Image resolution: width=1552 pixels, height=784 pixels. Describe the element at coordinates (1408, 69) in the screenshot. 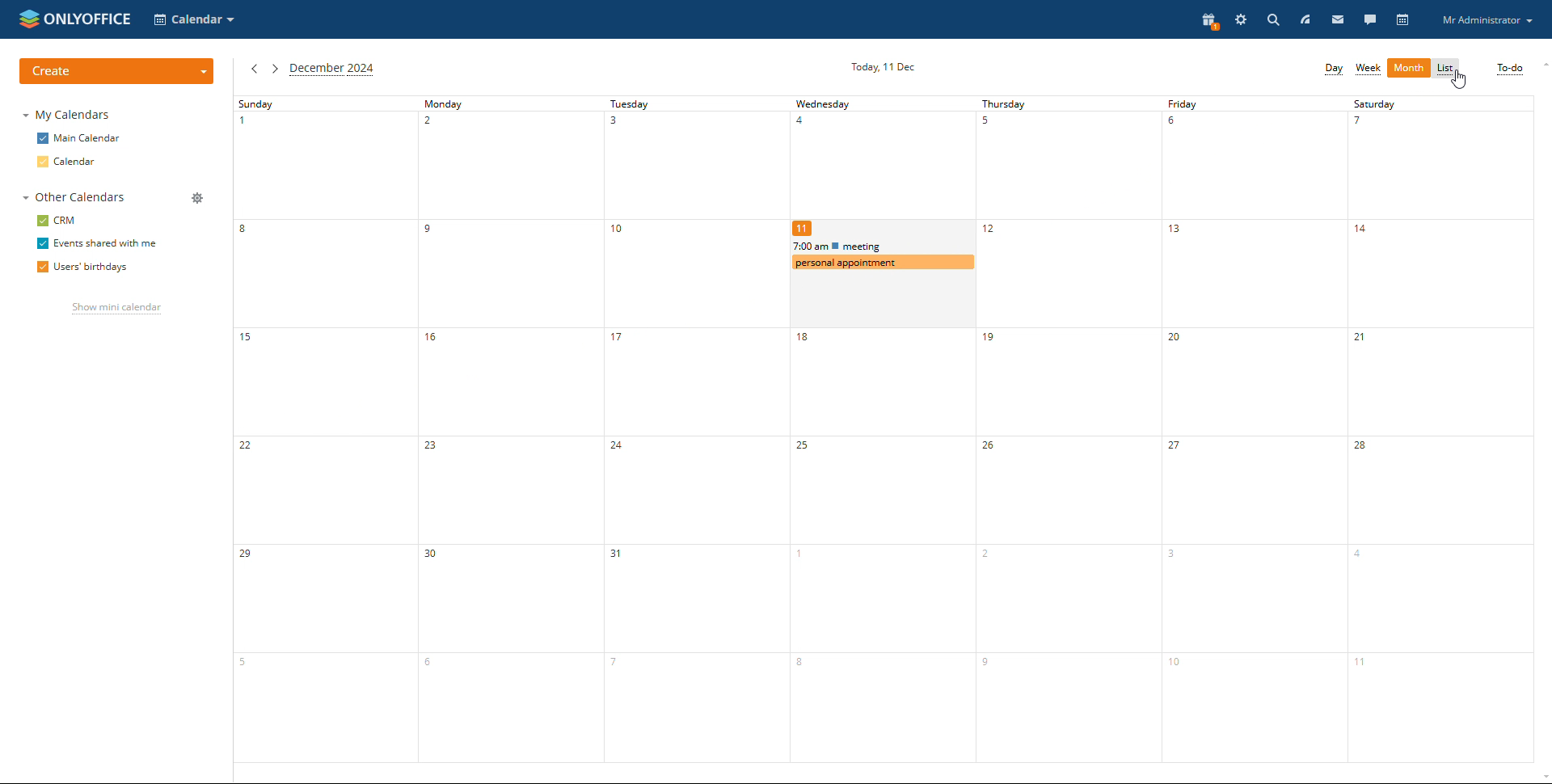

I see `month view` at that location.